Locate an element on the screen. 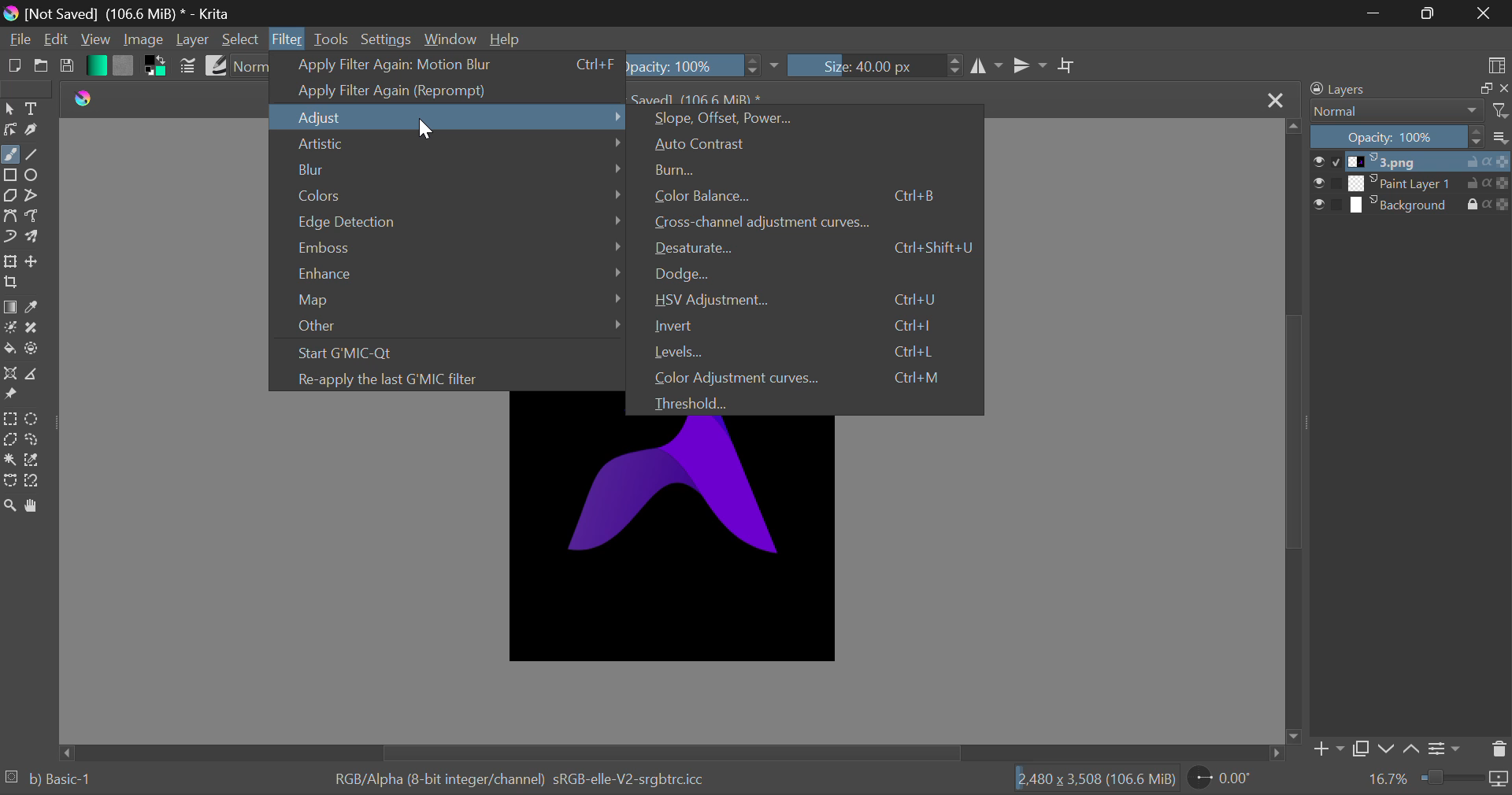  duration is located at coordinates (1463, 779).